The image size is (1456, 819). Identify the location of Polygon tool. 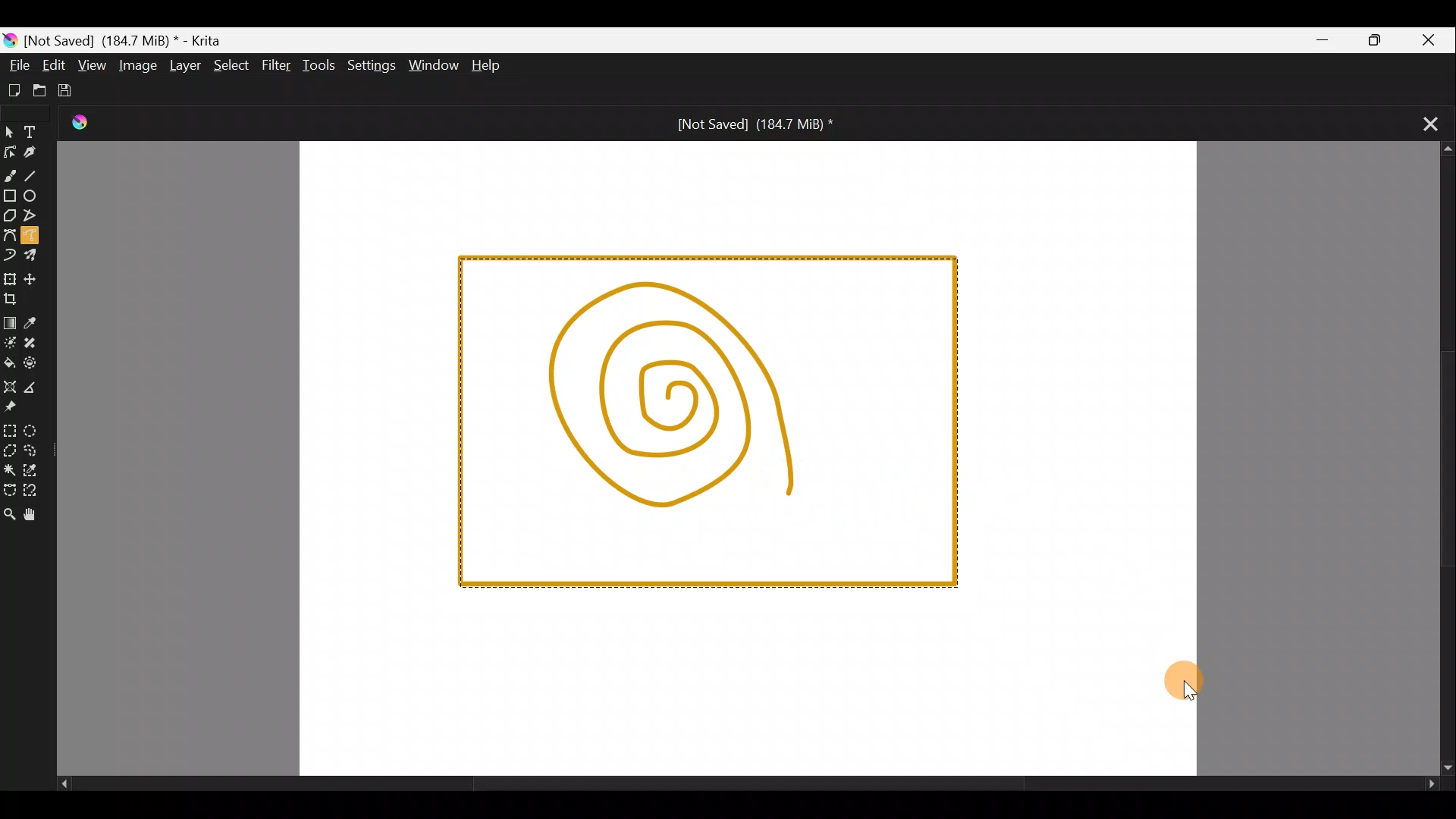
(9, 215).